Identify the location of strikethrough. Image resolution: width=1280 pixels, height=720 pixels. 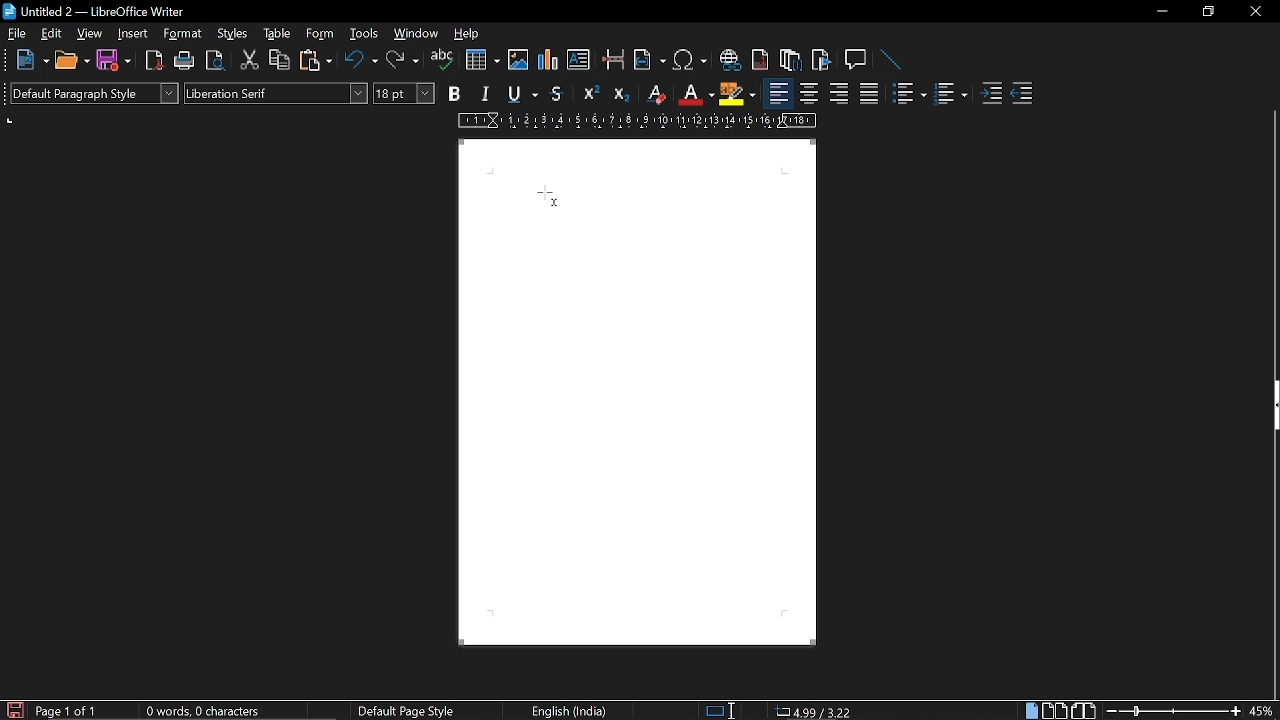
(558, 94).